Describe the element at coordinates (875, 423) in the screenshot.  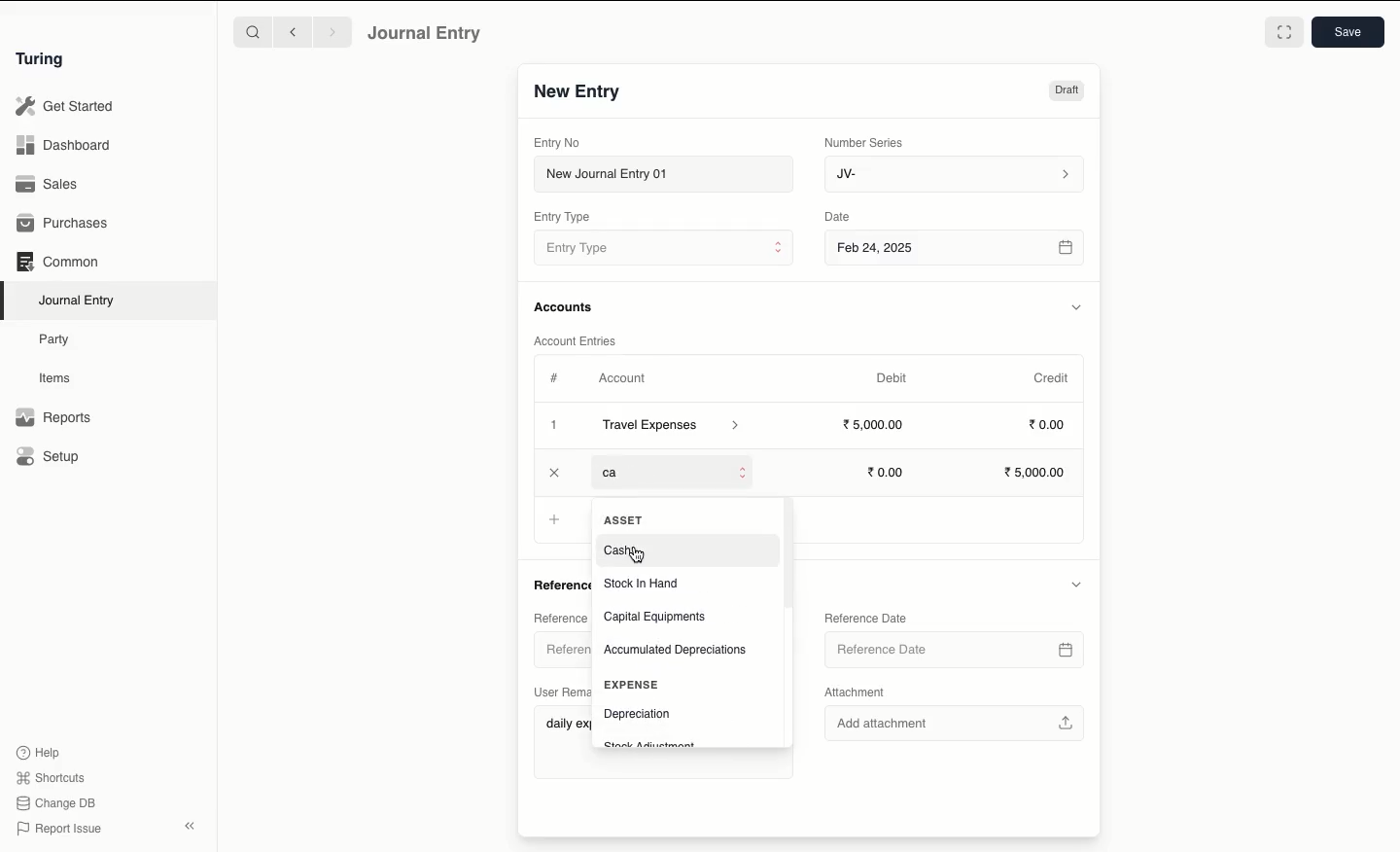
I see `5000.00` at that location.